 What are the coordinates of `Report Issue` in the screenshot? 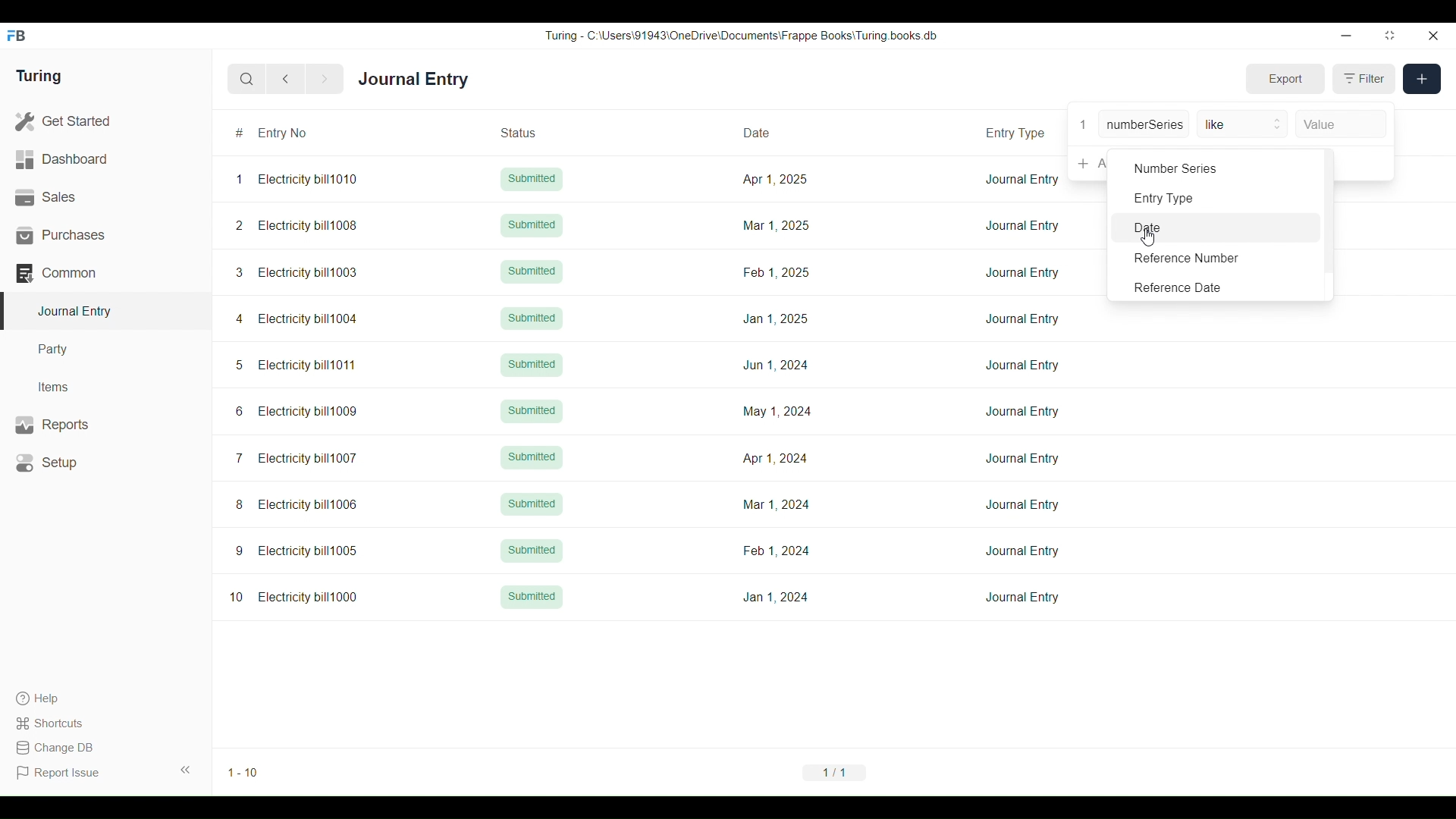 It's located at (58, 773).